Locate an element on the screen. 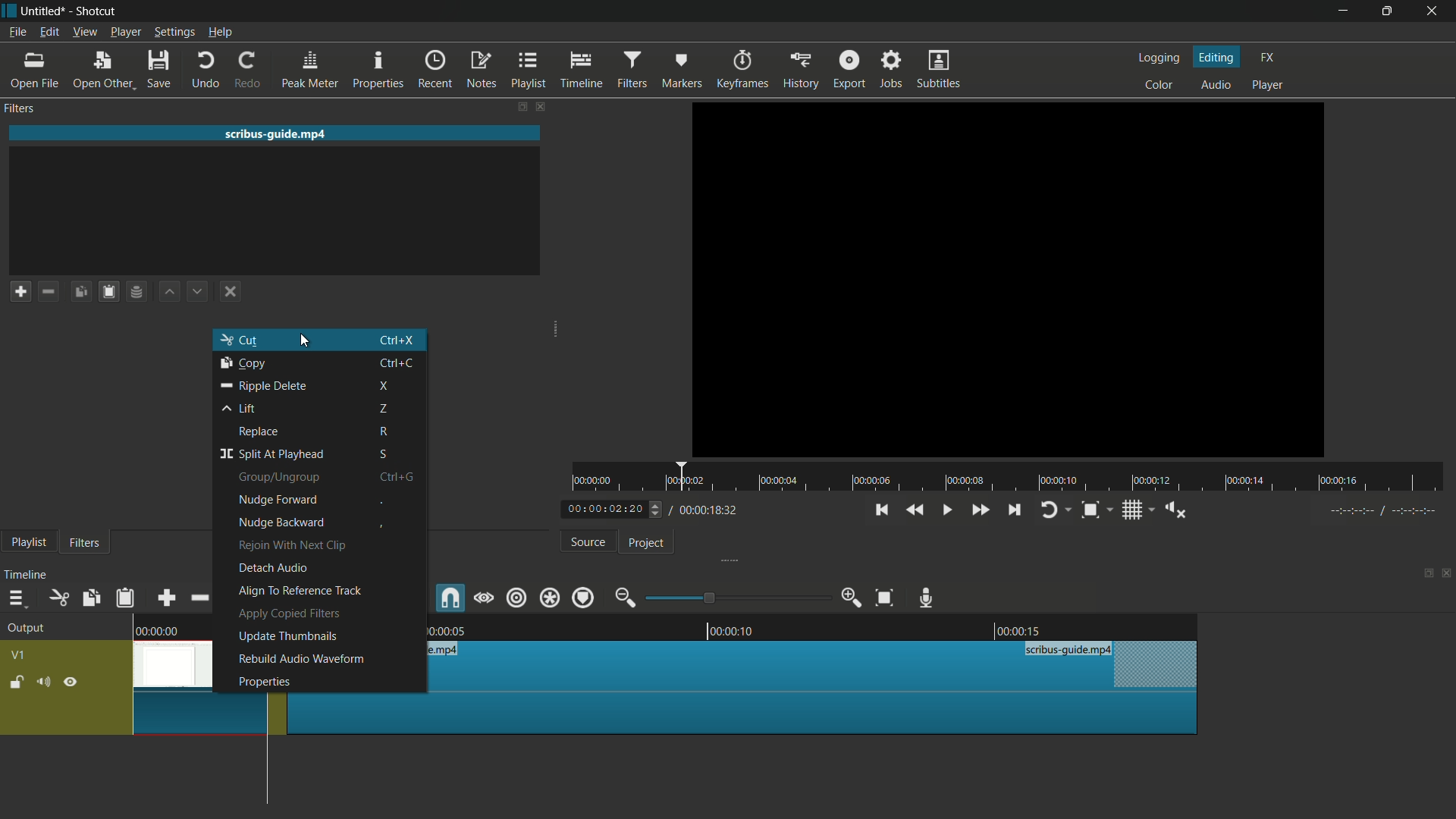  skip to the next point is located at coordinates (1015, 510).